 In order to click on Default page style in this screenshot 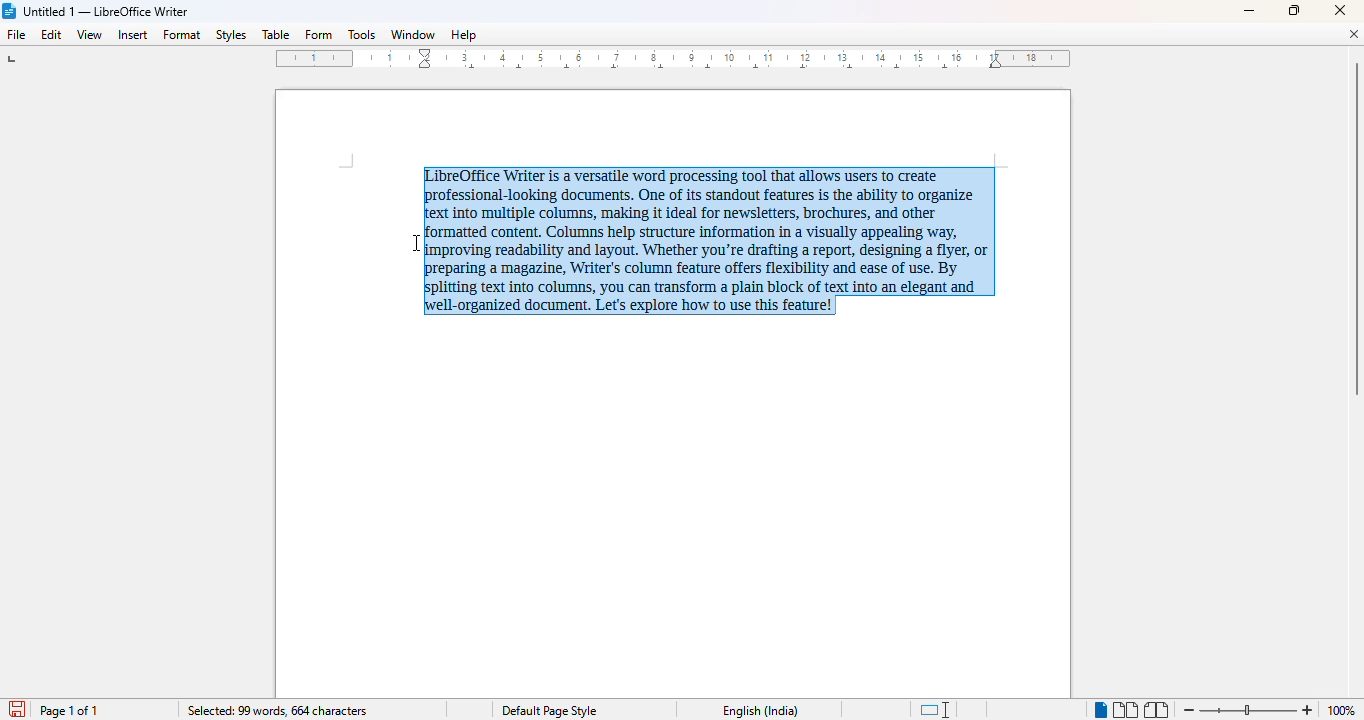, I will do `click(553, 710)`.